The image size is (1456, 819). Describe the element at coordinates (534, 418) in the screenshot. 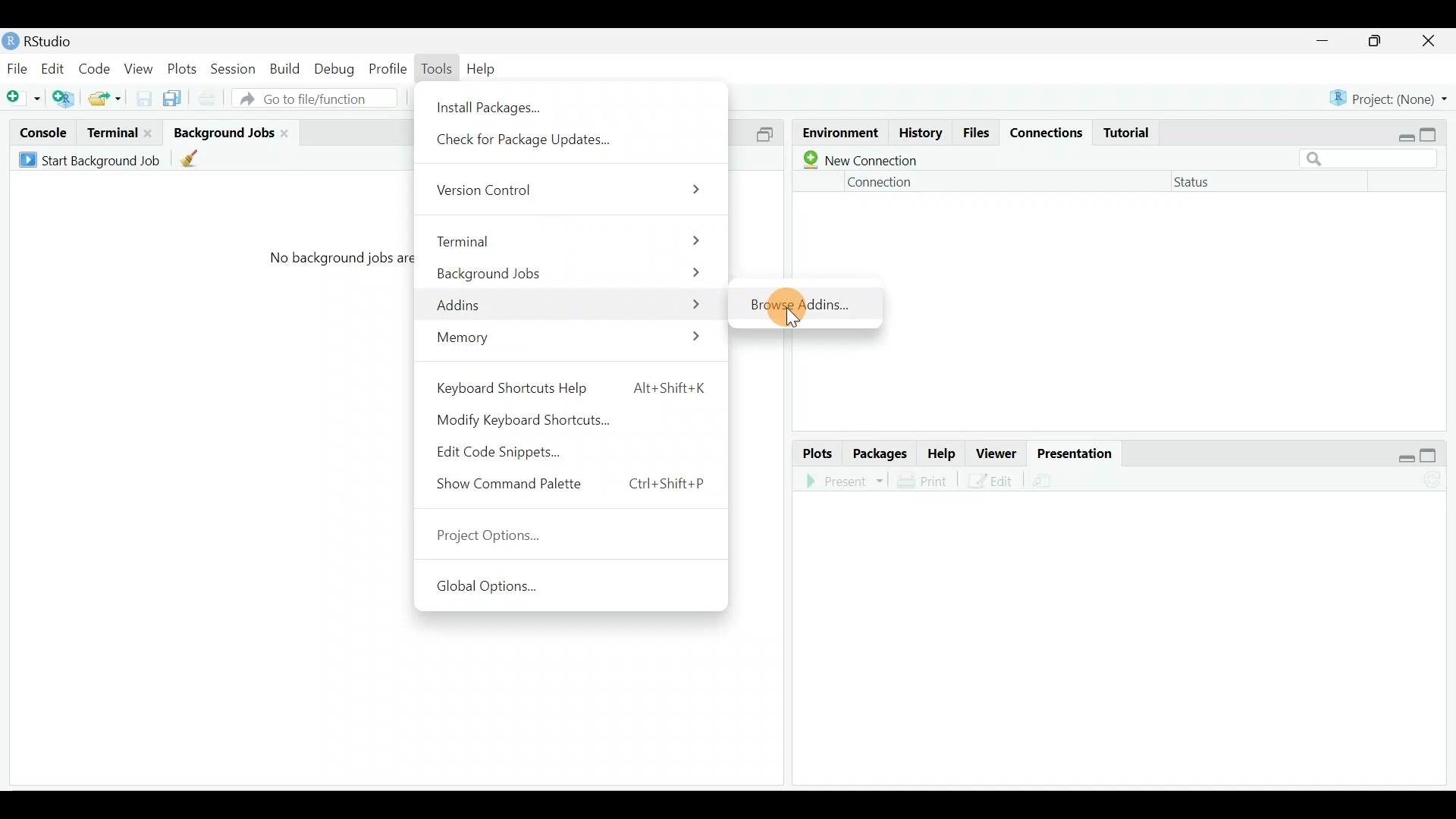

I see `Modify Keyboard Shortcuts...` at that location.